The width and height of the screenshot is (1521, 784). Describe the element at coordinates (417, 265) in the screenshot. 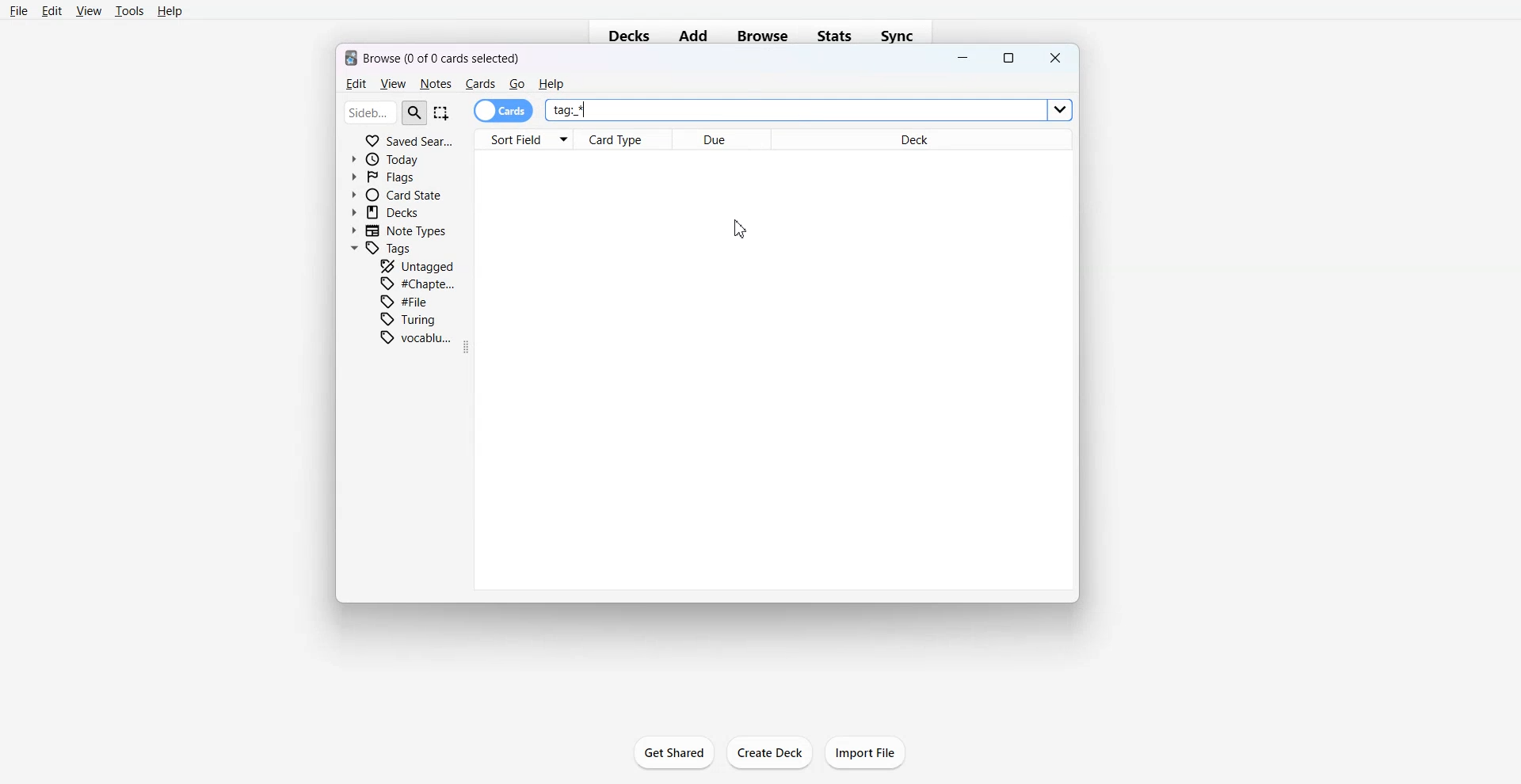

I see `Untagged` at that location.